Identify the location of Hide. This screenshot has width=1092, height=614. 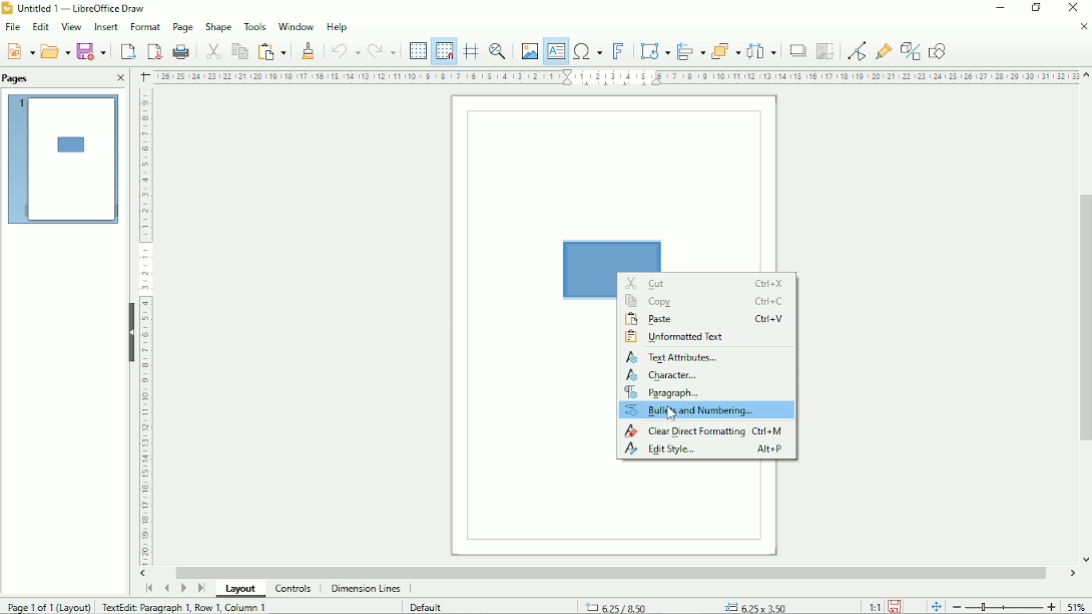
(131, 332).